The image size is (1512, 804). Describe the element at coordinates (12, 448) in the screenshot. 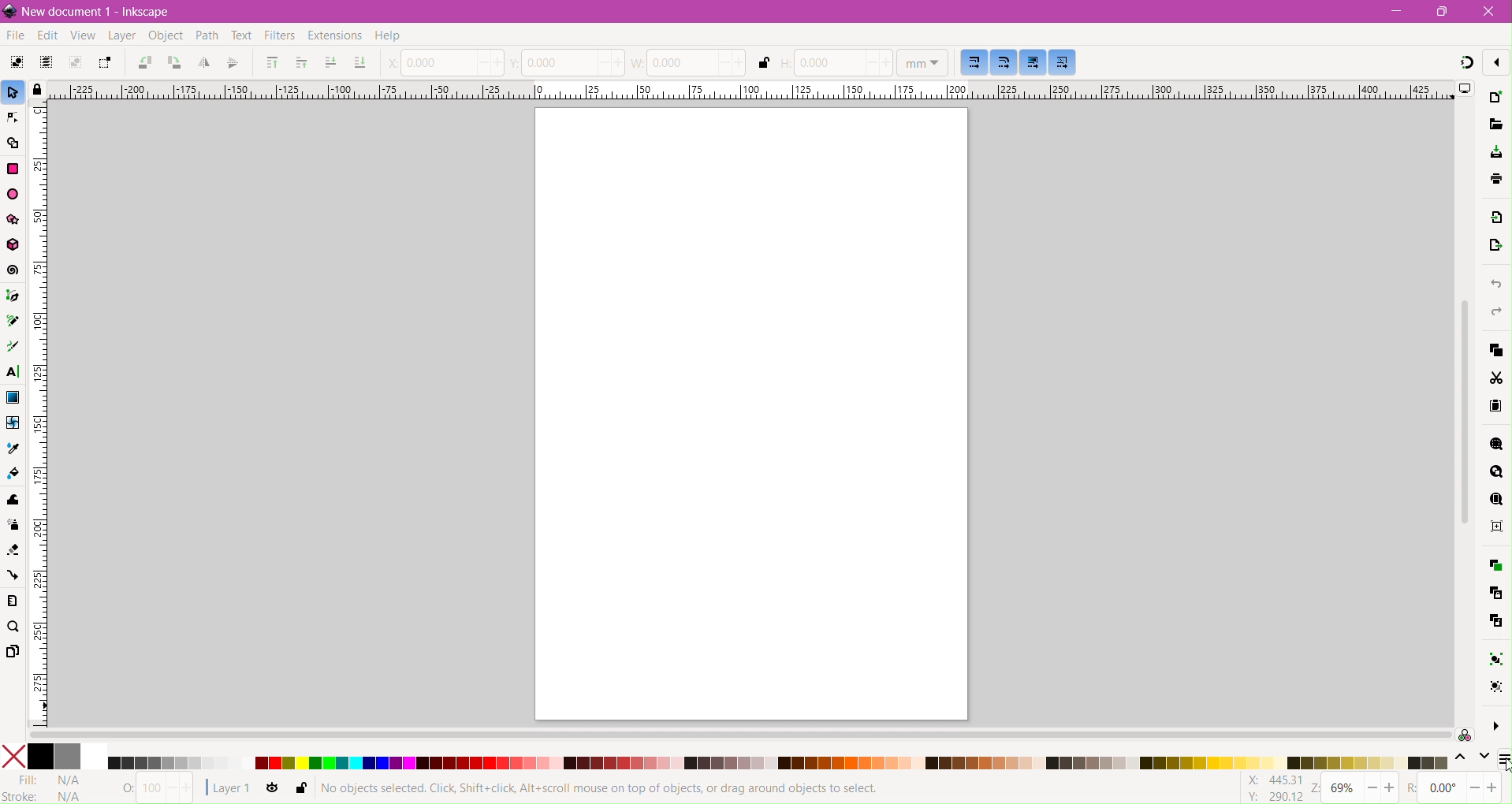

I see `Dropper Tool` at that location.